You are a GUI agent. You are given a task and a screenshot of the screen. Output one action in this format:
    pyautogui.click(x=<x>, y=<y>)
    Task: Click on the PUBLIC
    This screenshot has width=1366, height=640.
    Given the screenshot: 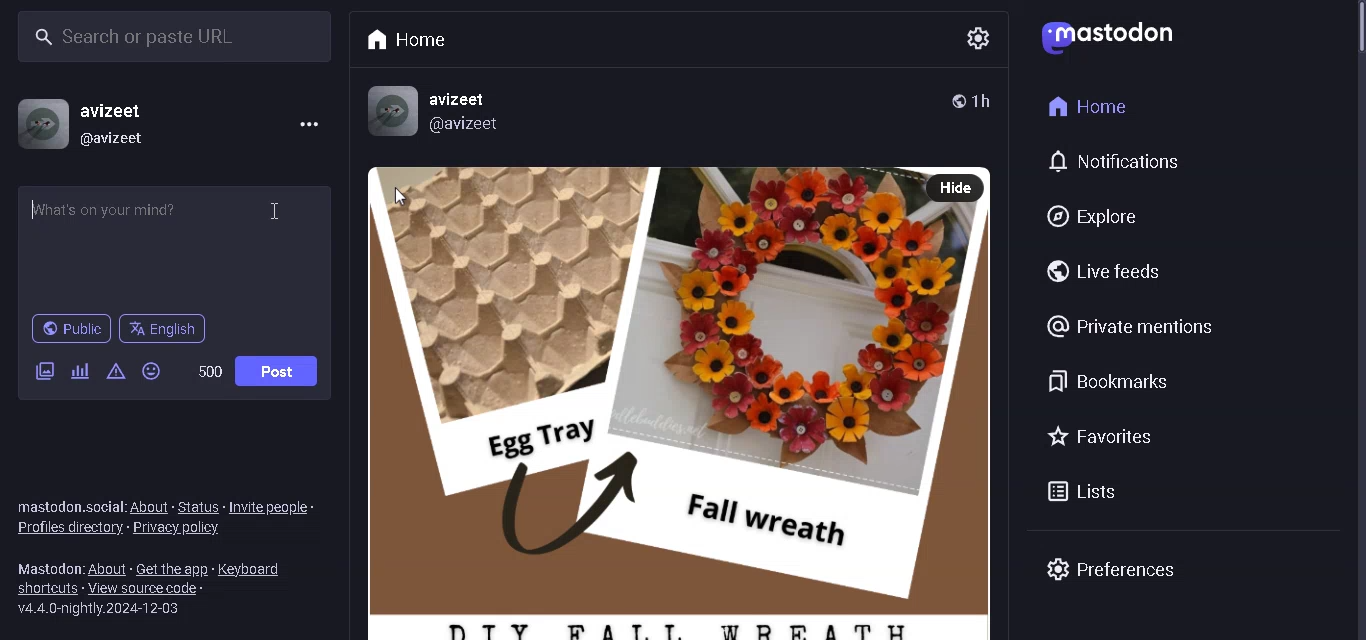 What is the action you would take?
    pyautogui.click(x=69, y=329)
    